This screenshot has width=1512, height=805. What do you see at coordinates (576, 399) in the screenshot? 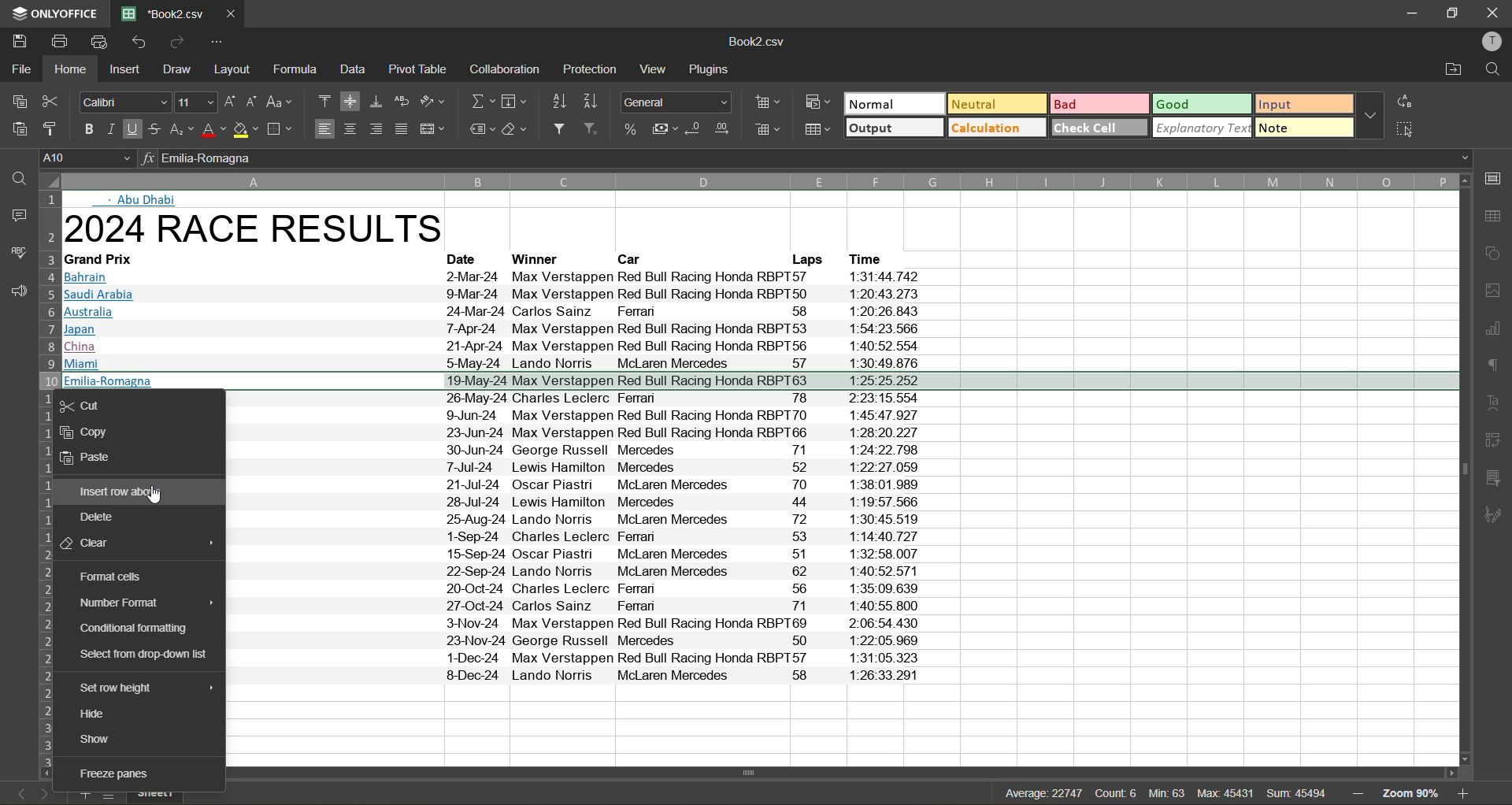
I see `Monaco 26-May-24 Charles Leclerc Ferman 78 2:23:15.554` at bounding box center [576, 399].